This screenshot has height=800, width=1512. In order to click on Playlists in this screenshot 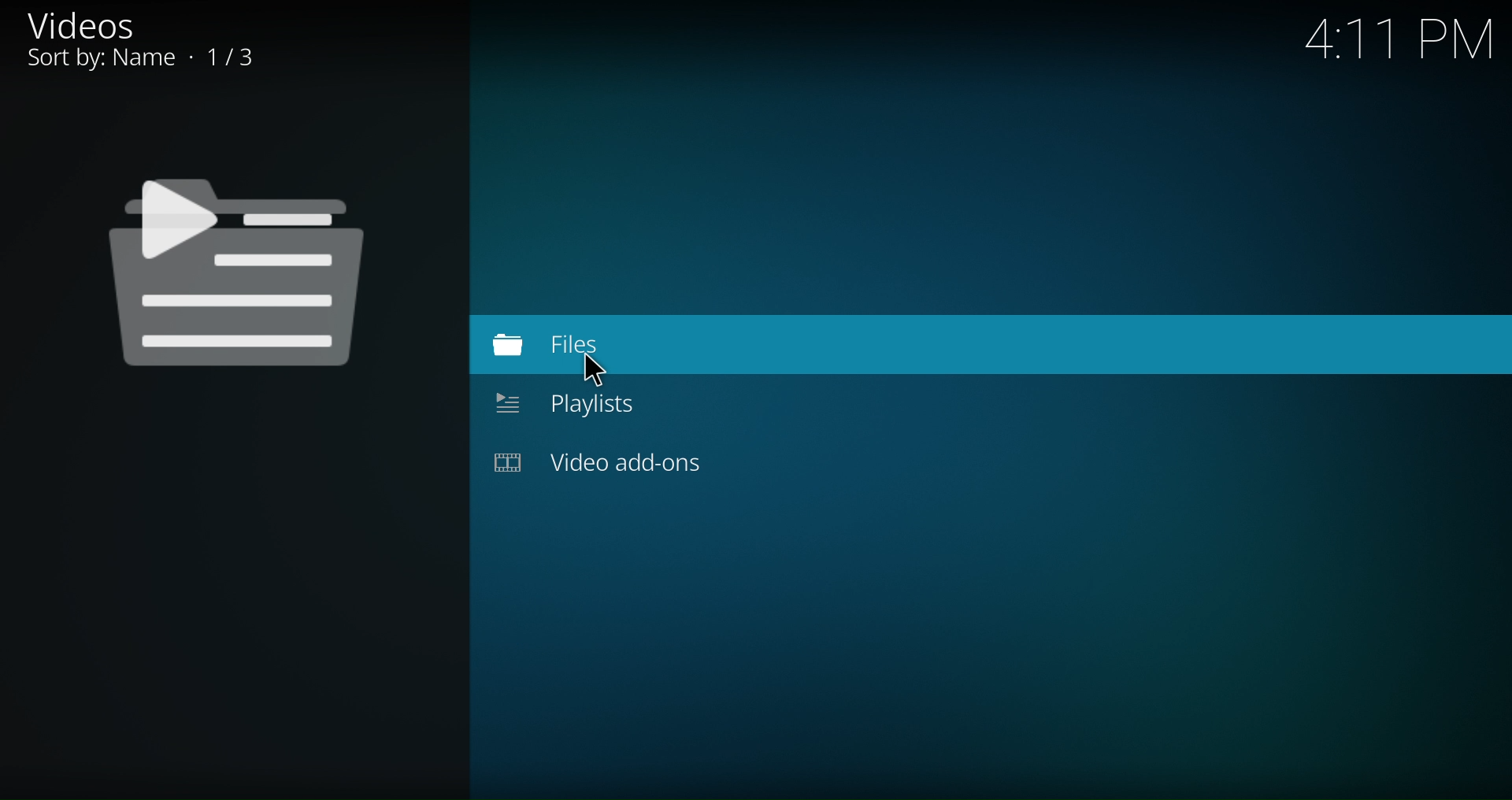, I will do `click(604, 405)`.